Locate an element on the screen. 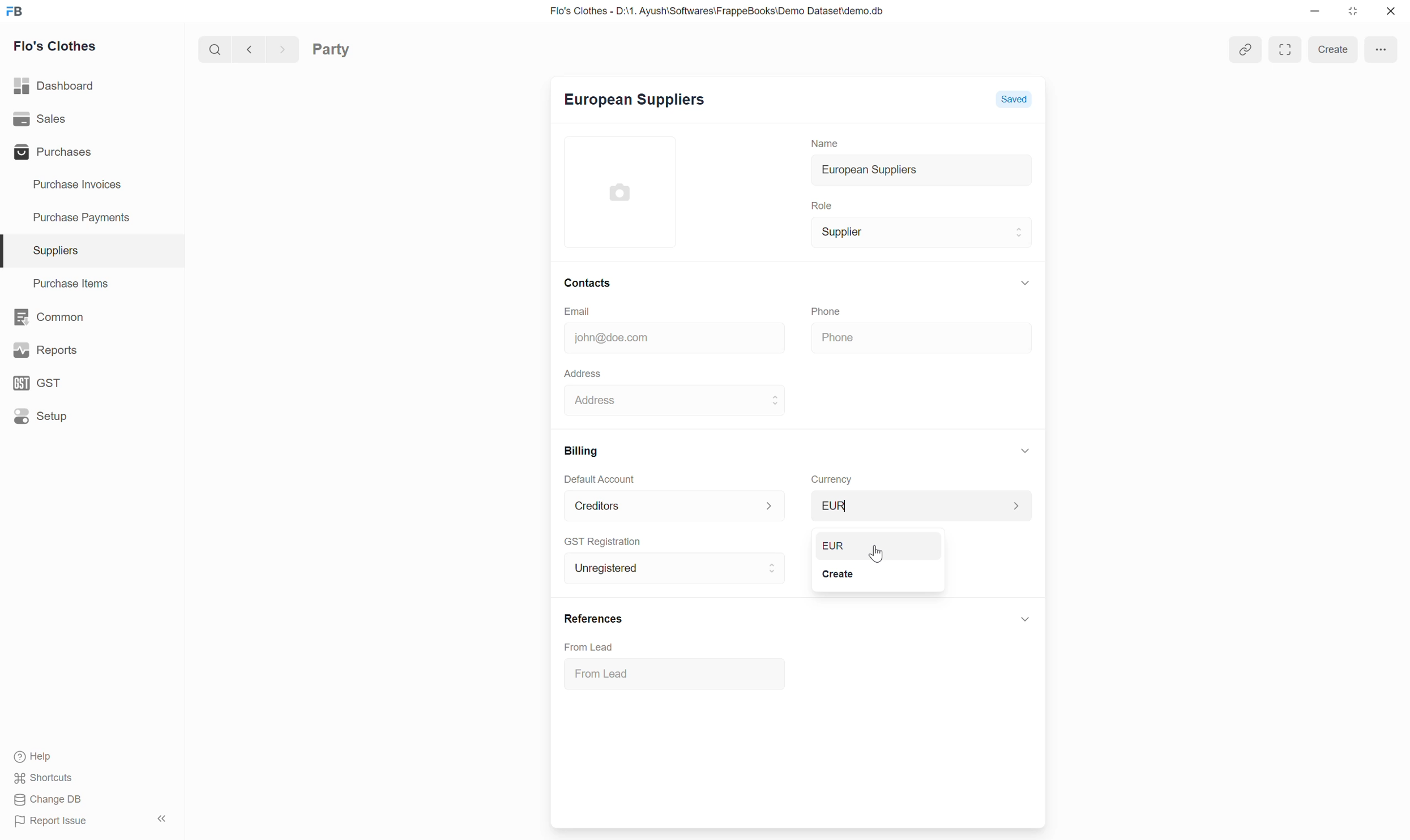 This screenshot has width=1410, height=840. Supplier is located at coordinates (838, 232).